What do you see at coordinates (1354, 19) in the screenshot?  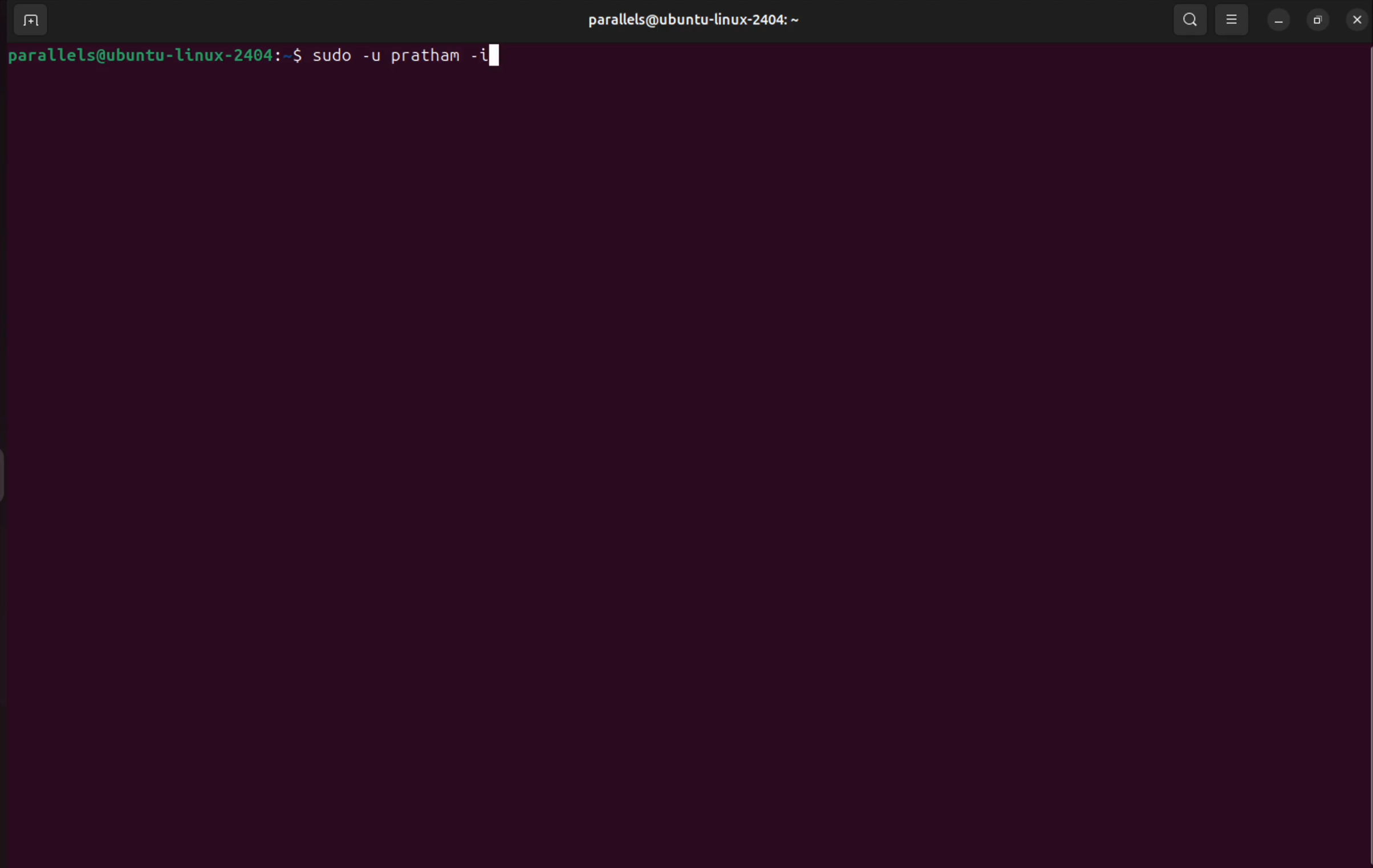 I see `close` at bounding box center [1354, 19].